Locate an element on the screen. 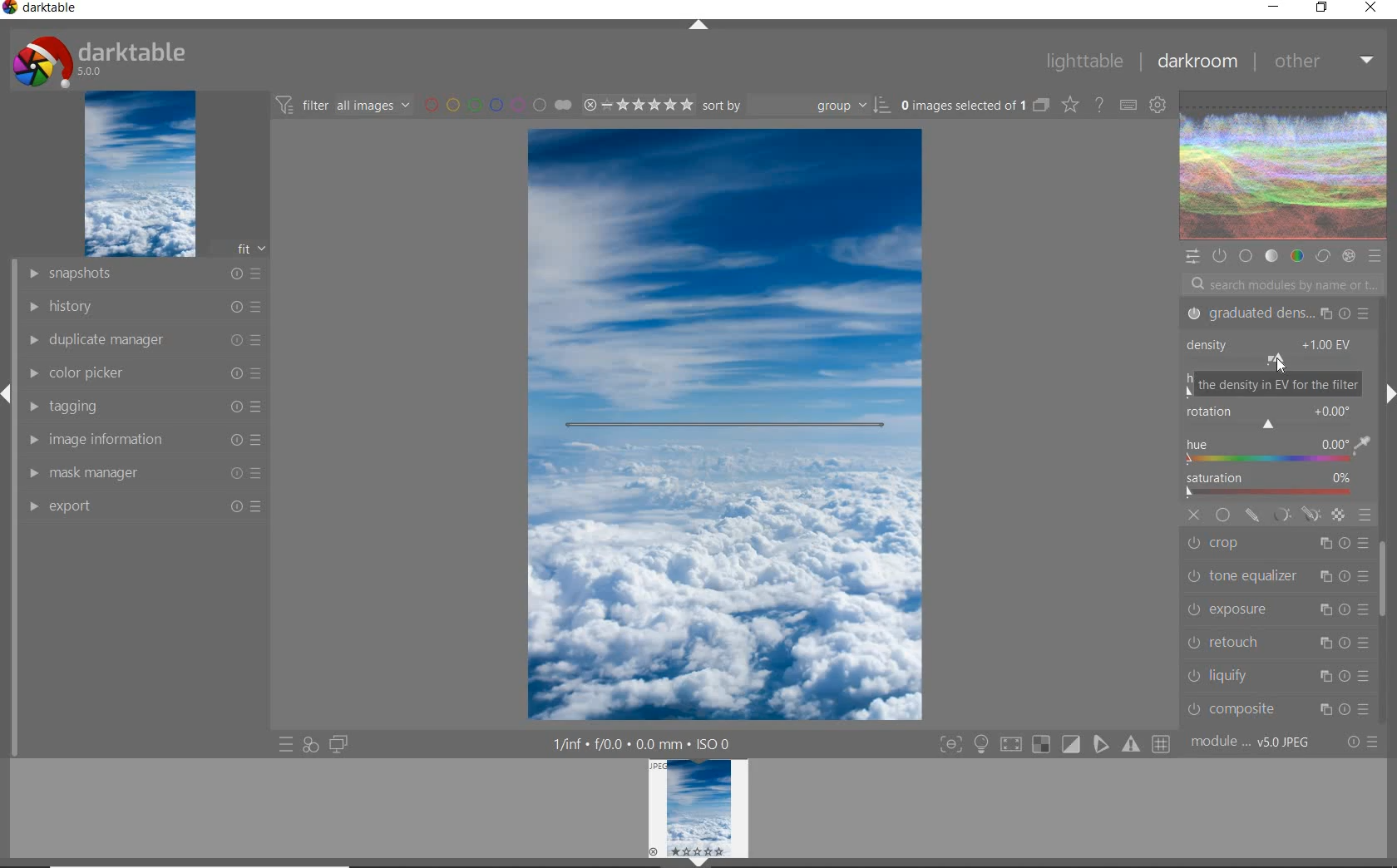  liquify is located at coordinates (1281, 674).